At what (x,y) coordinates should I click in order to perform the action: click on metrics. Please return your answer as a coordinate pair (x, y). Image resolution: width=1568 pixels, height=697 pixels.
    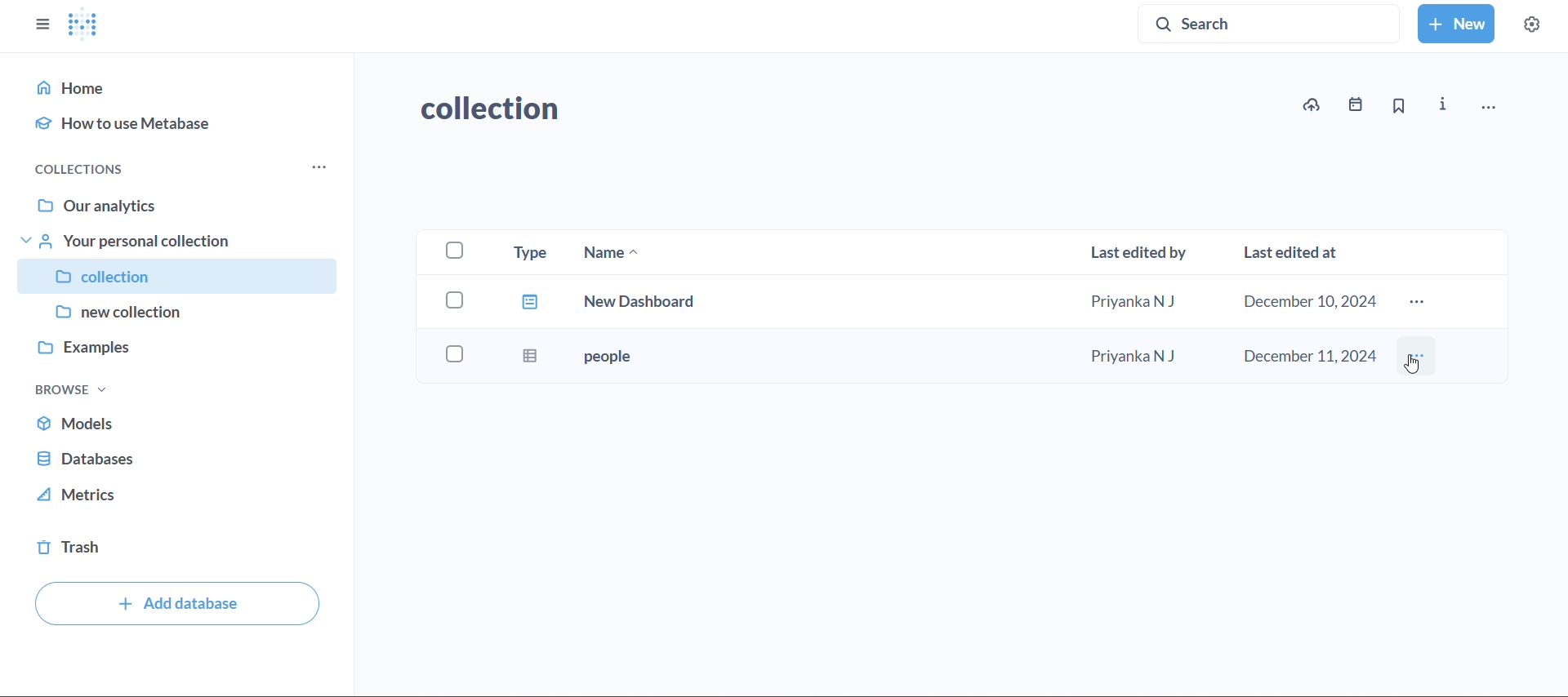
    Looking at the image, I should click on (180, 500).